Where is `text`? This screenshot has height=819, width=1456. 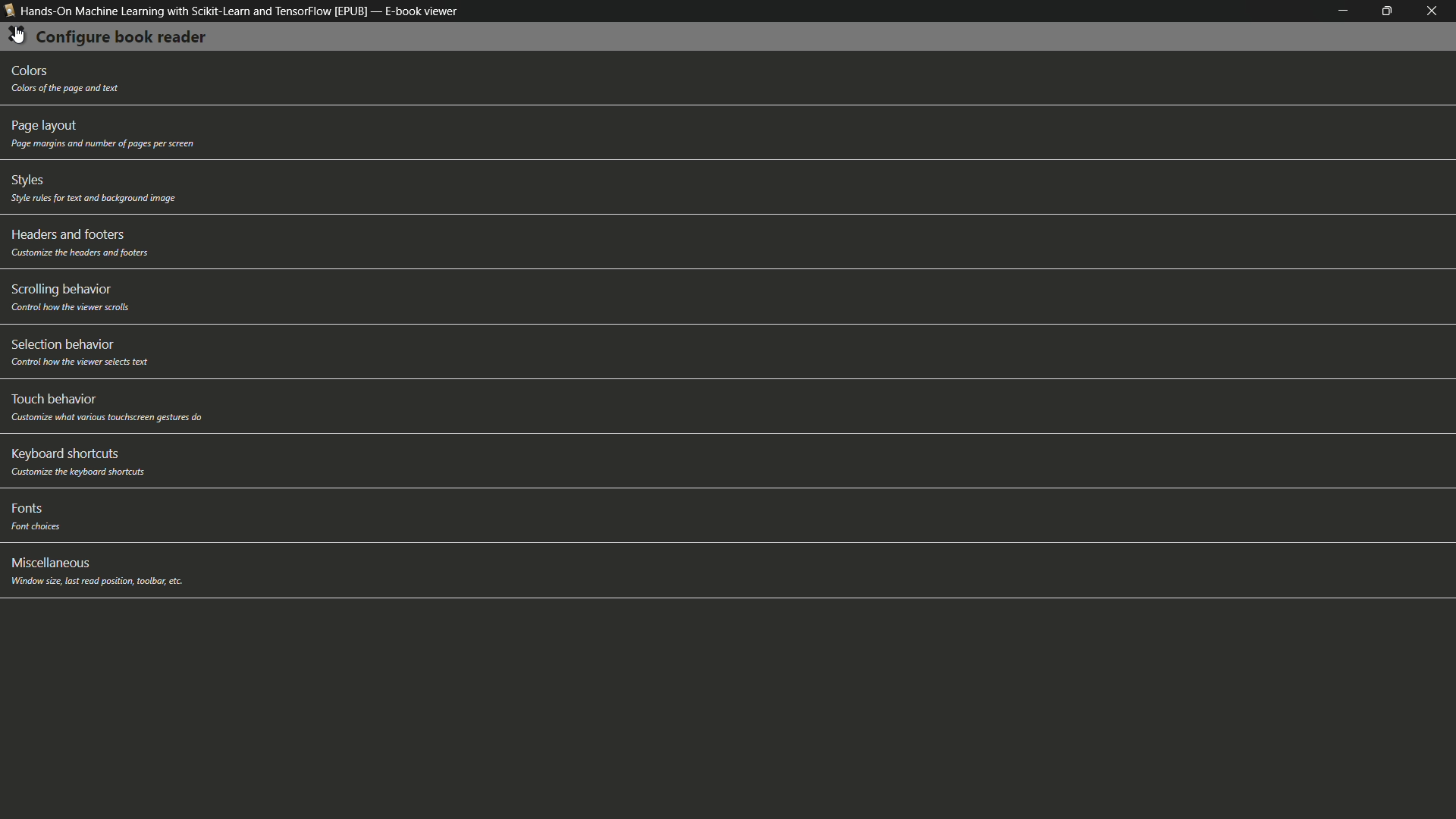 text is located at coordinates (40, 528).